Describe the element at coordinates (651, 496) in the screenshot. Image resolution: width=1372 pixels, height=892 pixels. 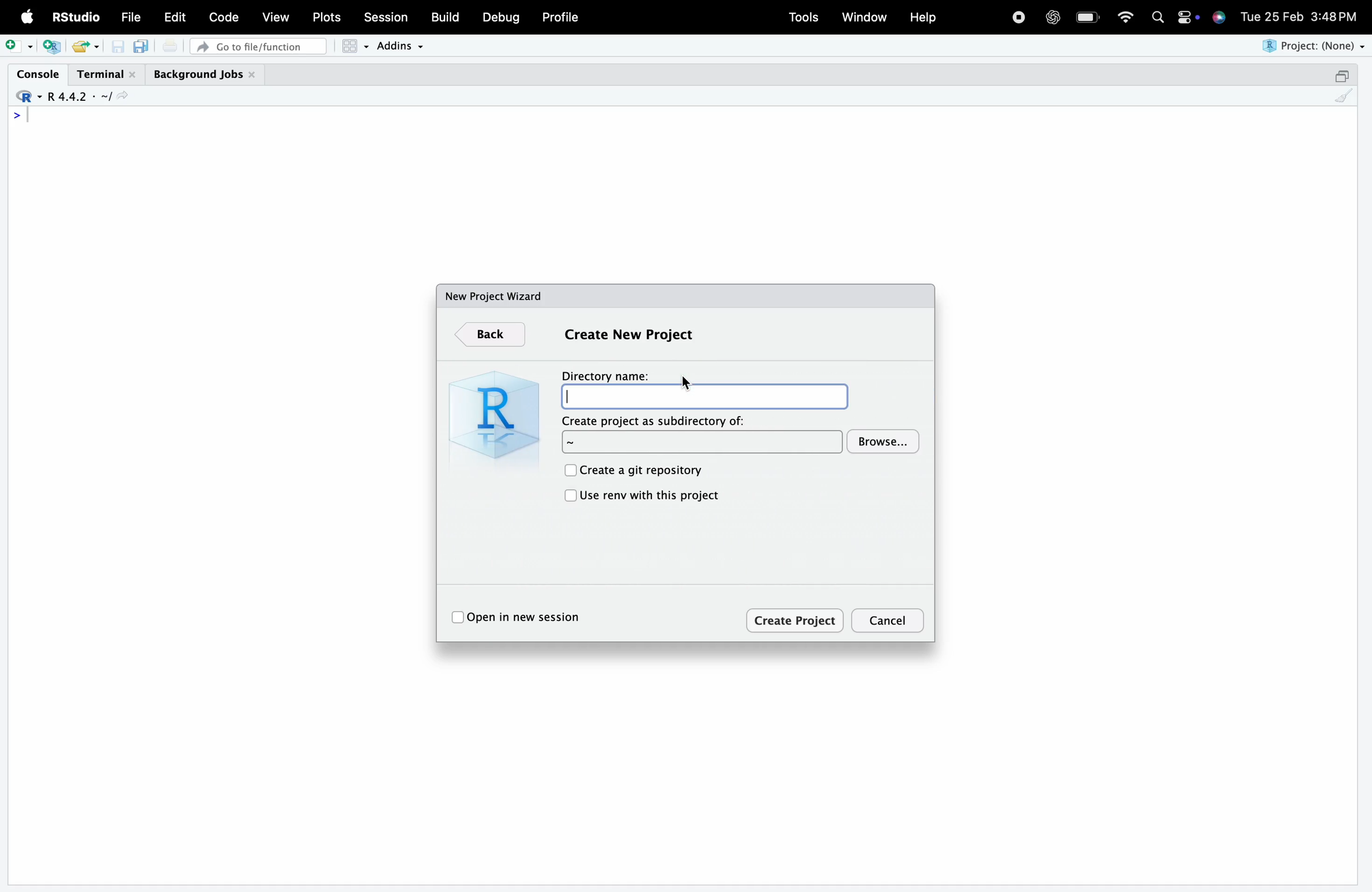
I see `Use renv with this project` at that location.